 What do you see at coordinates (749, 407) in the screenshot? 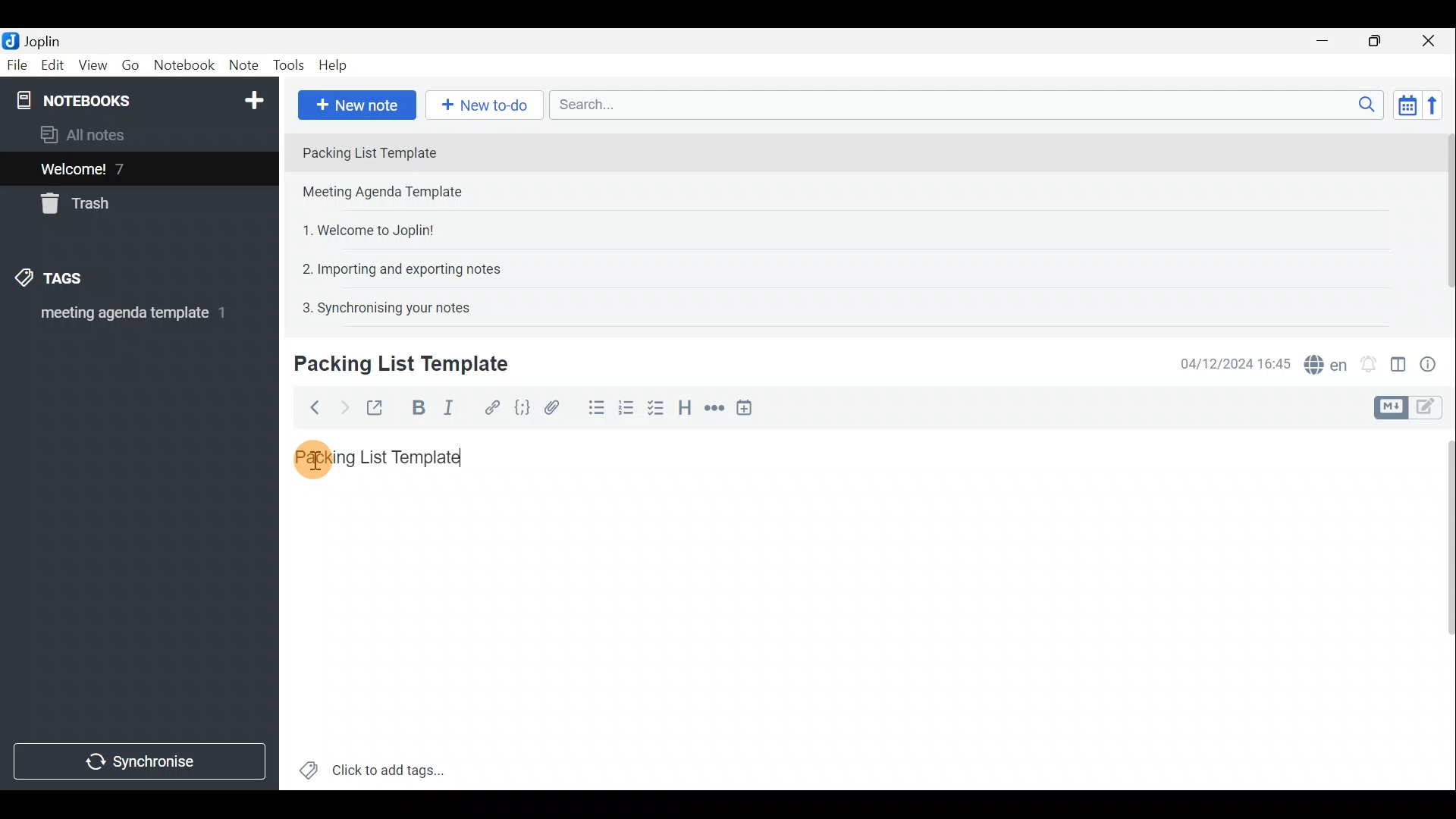
I see `Insert time` at bounding box center [749, 407].